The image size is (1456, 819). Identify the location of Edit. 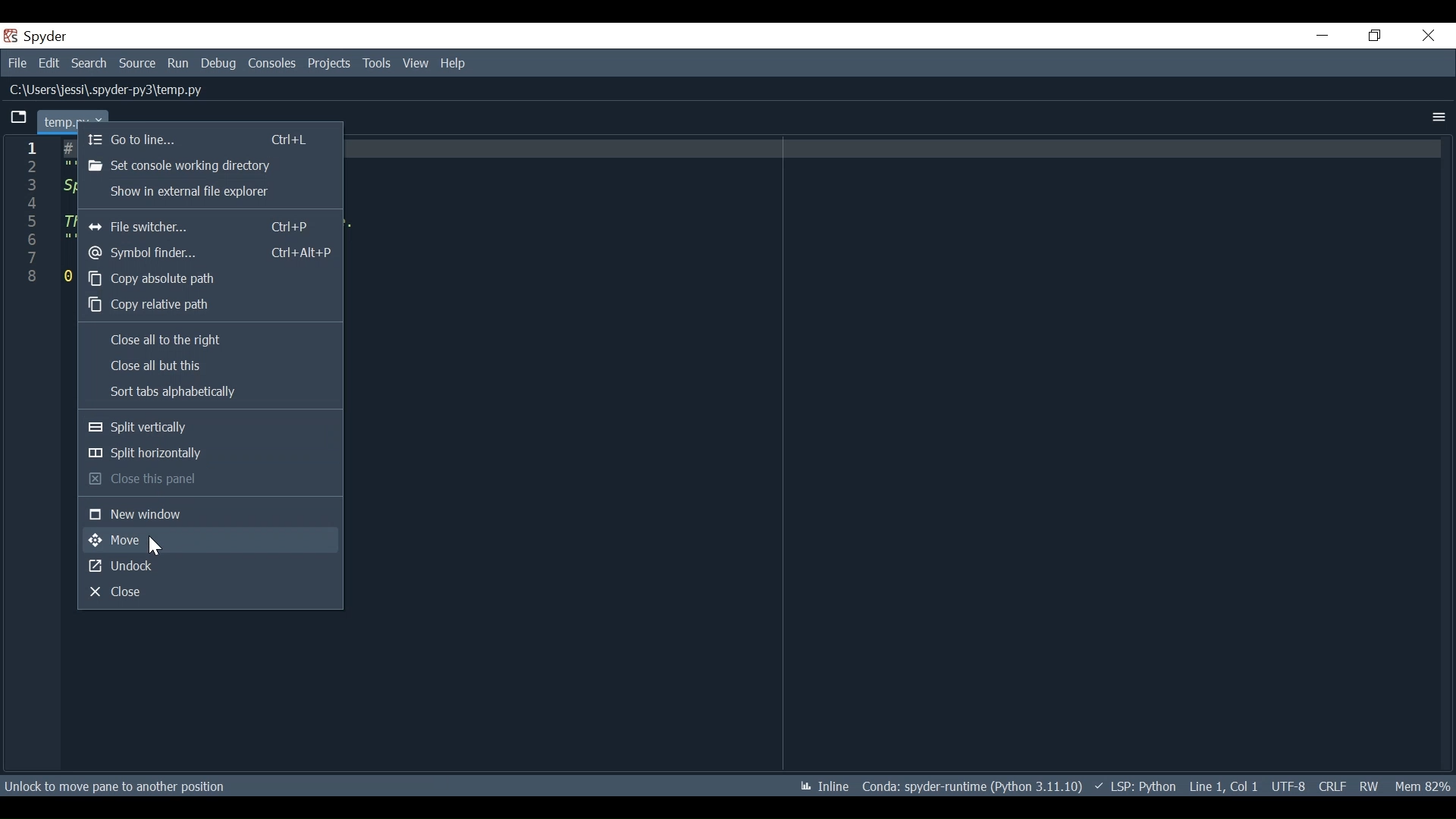
(51, 64).